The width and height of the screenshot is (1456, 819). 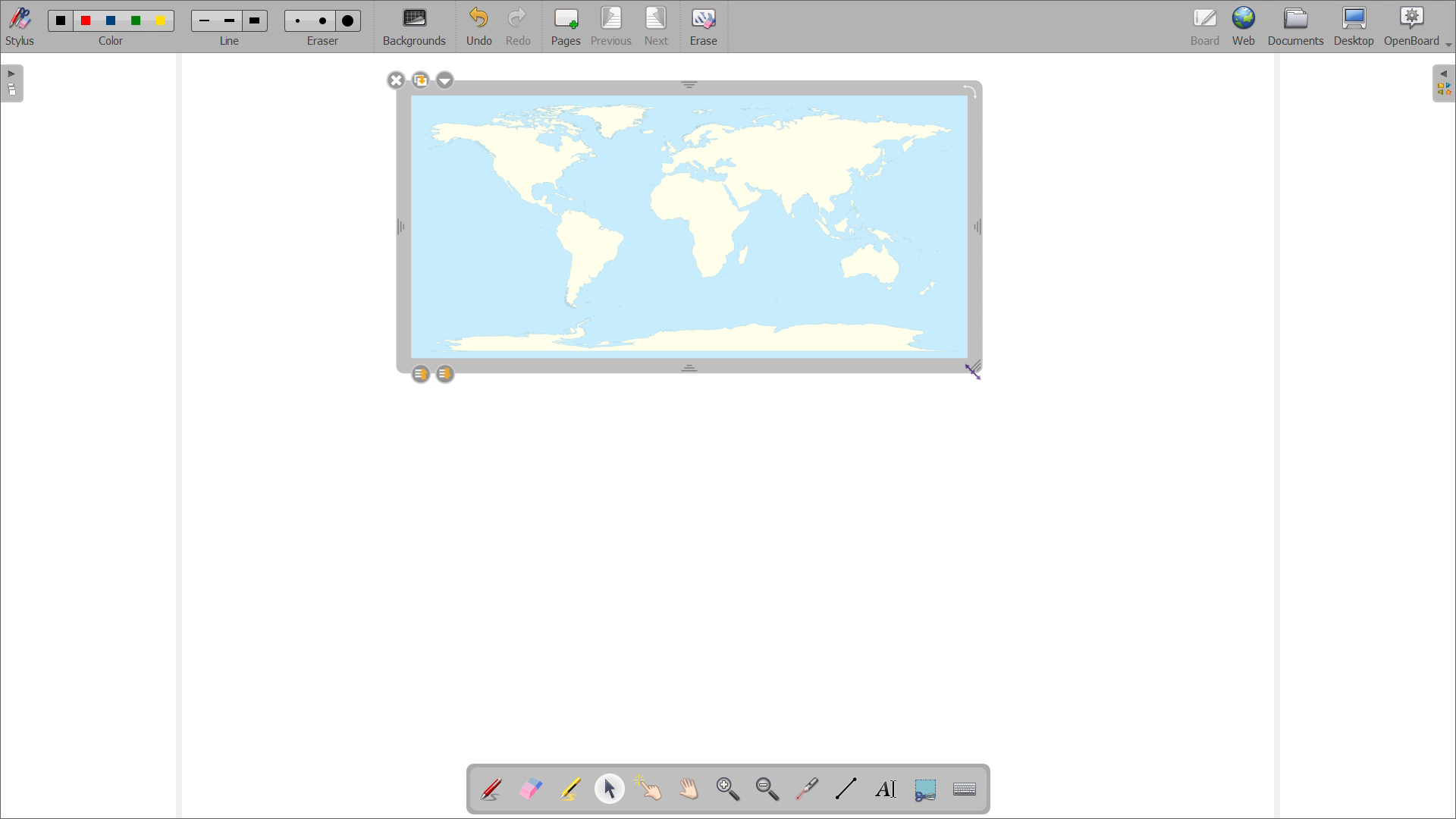 What do you see at coordinates (979, 367) in the screenshot?
I see `resize` at bounding box center [979, 367].